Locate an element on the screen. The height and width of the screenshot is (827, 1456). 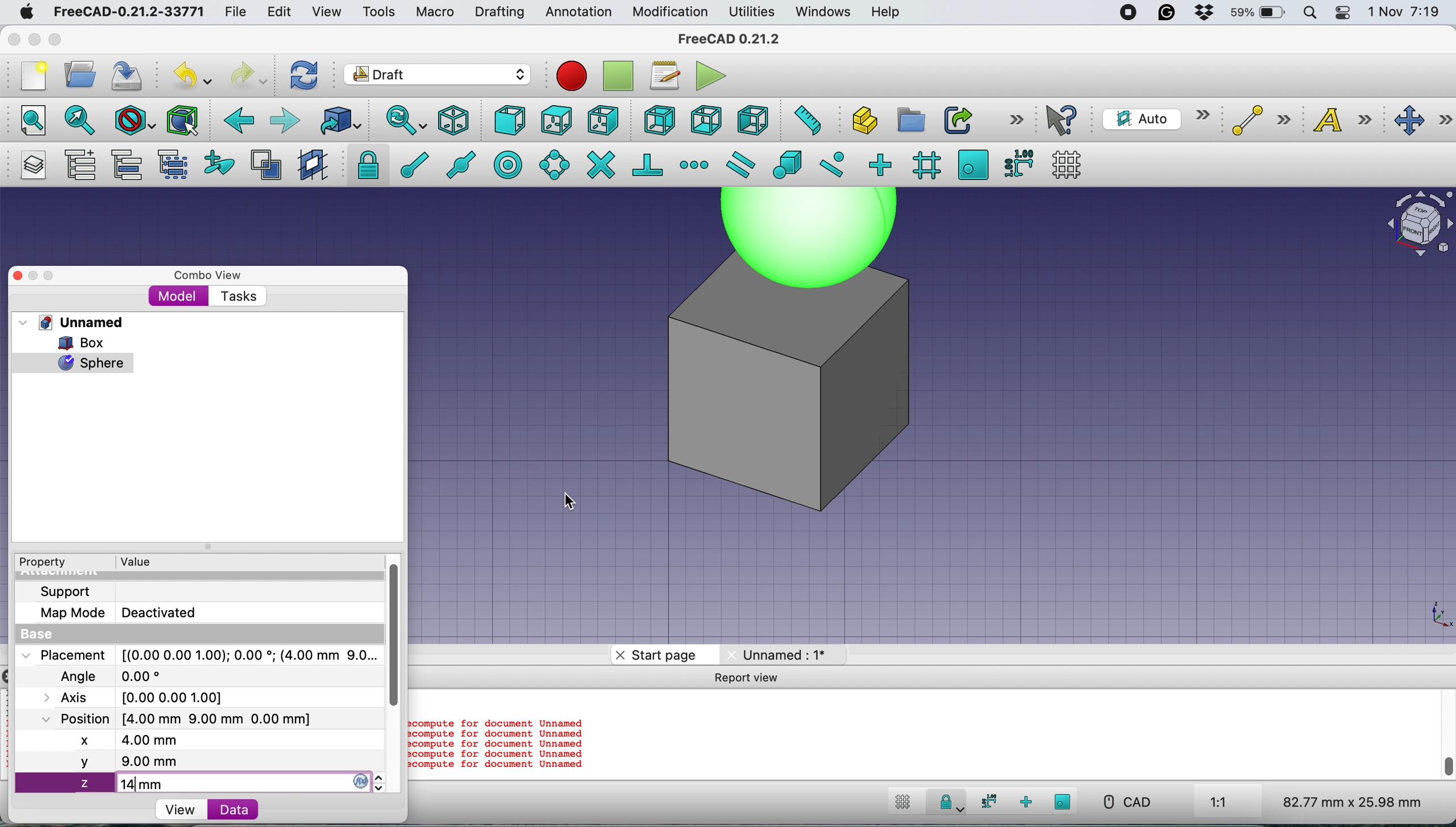
Position [4.00 mm 0.00 mm 0.00 mm] is located at coordinates (177, 720).